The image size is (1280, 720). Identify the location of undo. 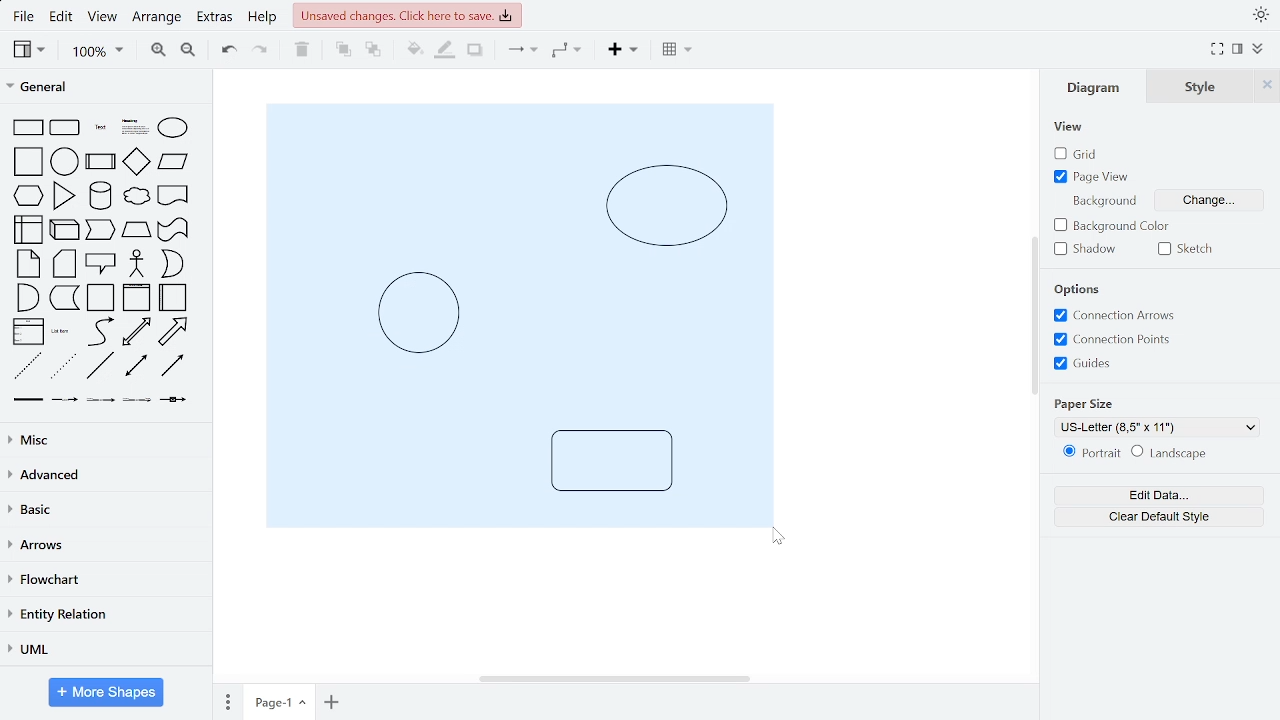
(230, 51).